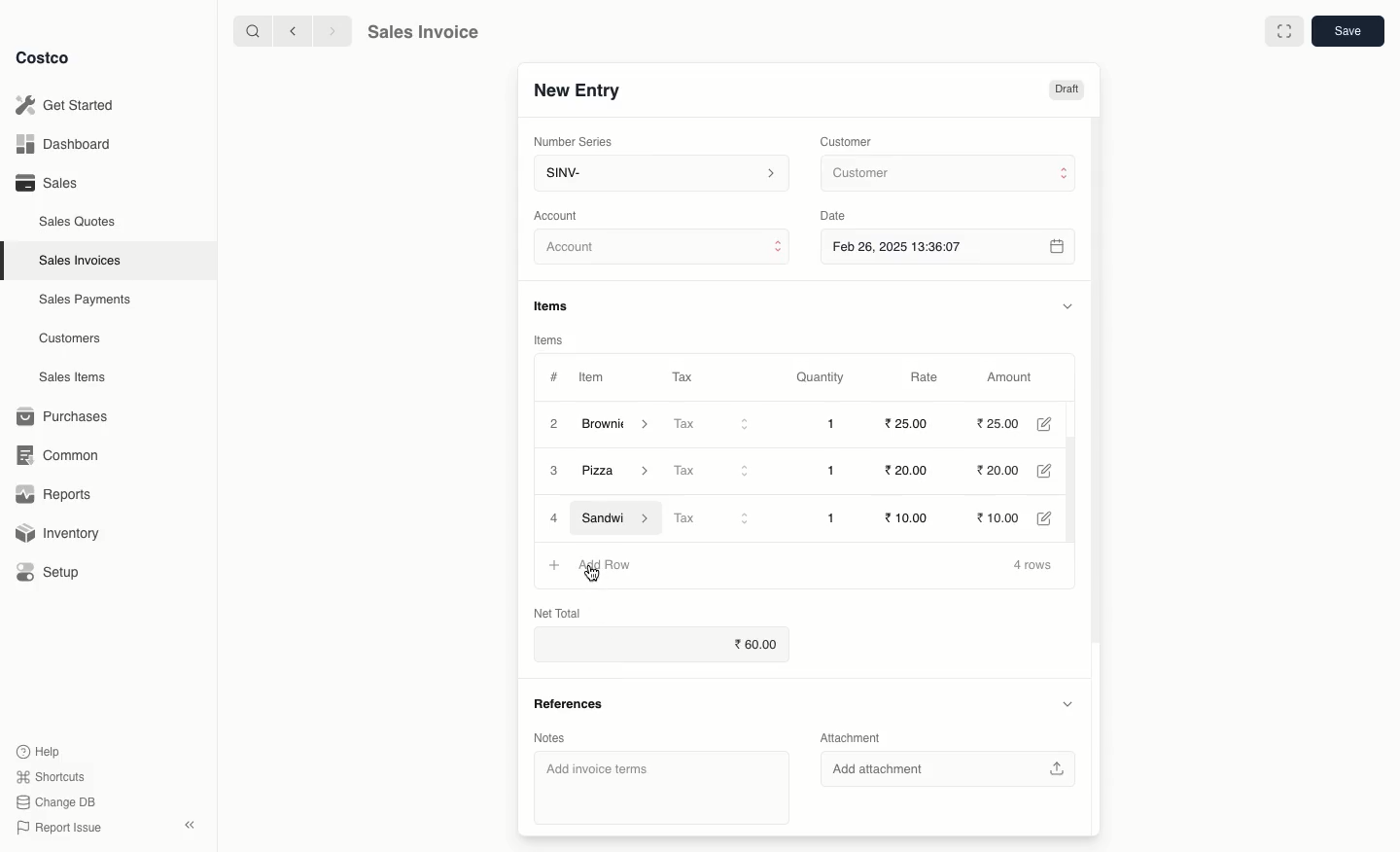 Image resolution: width=1400 pixels, height=852 pixels. What do you see at coordinates (60, 145) in the screenshot?
I see `Dashboard` at bounding box center [60, 145].